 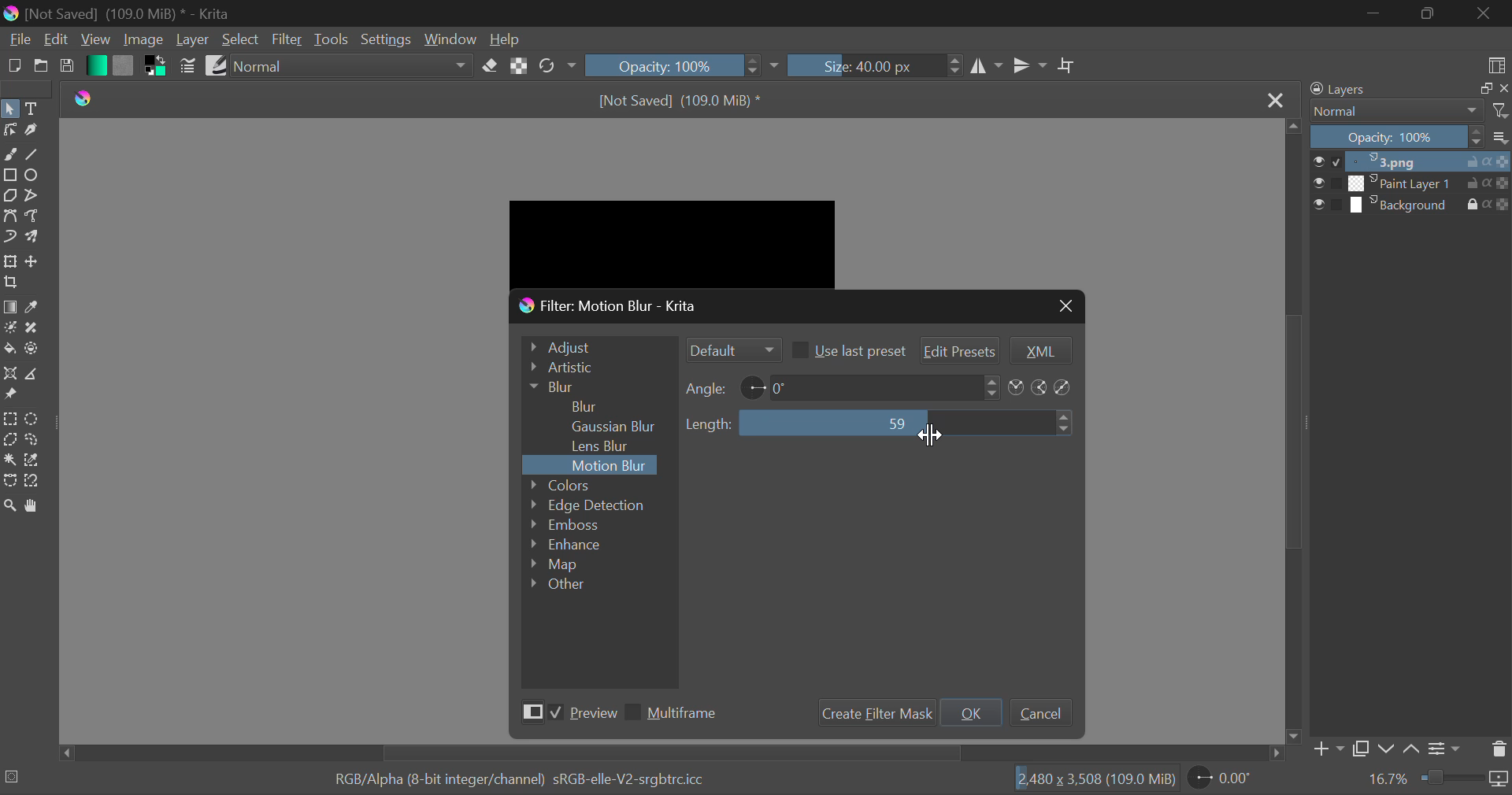 I want to click on Dynamic Brush, so click(x=9, y=238).